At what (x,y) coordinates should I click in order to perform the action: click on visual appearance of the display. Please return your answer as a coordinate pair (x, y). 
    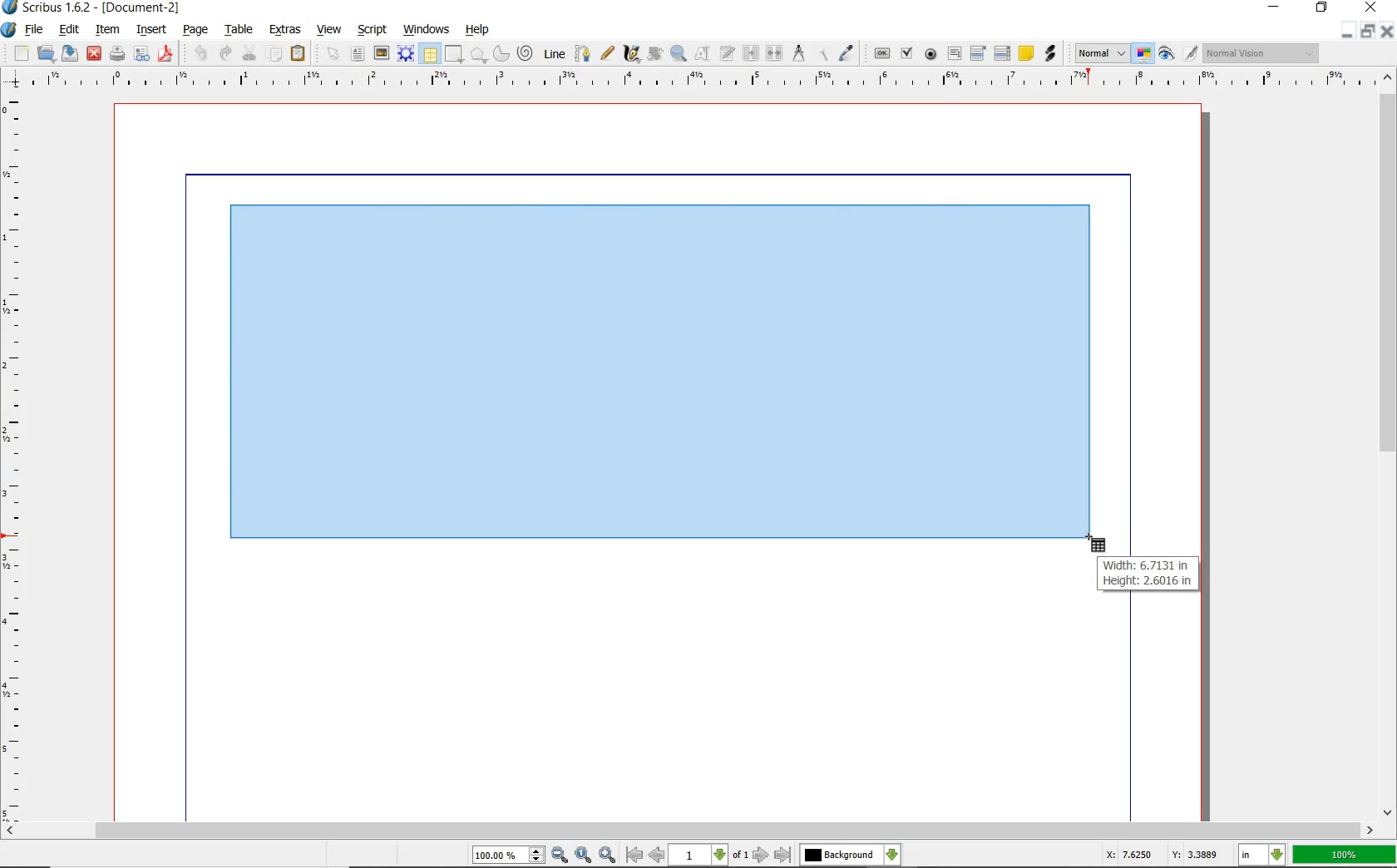
    Looking at the image, I should click on (1264, 52).